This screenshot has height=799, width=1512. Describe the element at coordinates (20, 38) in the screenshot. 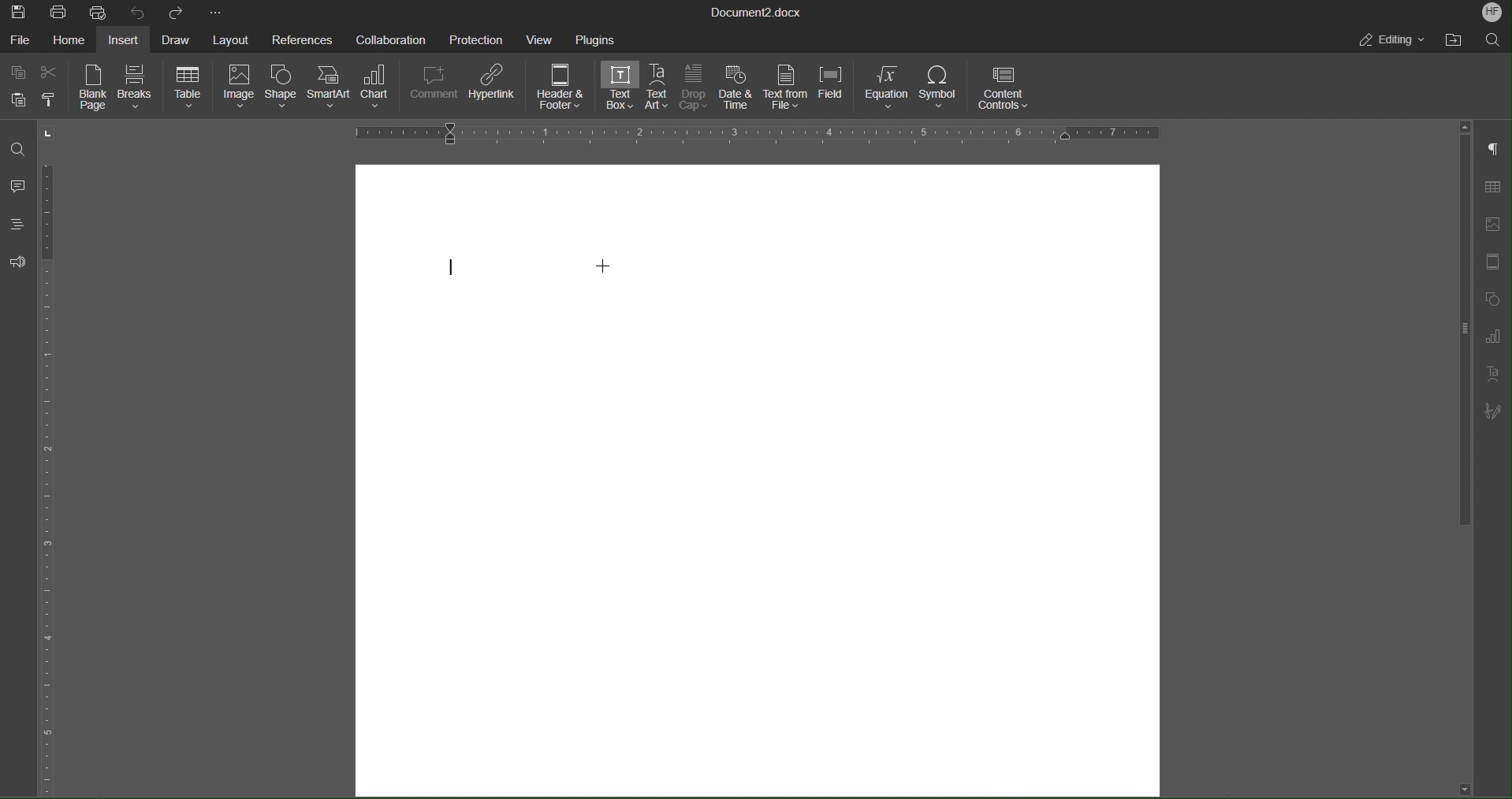

I see `File` at that location.